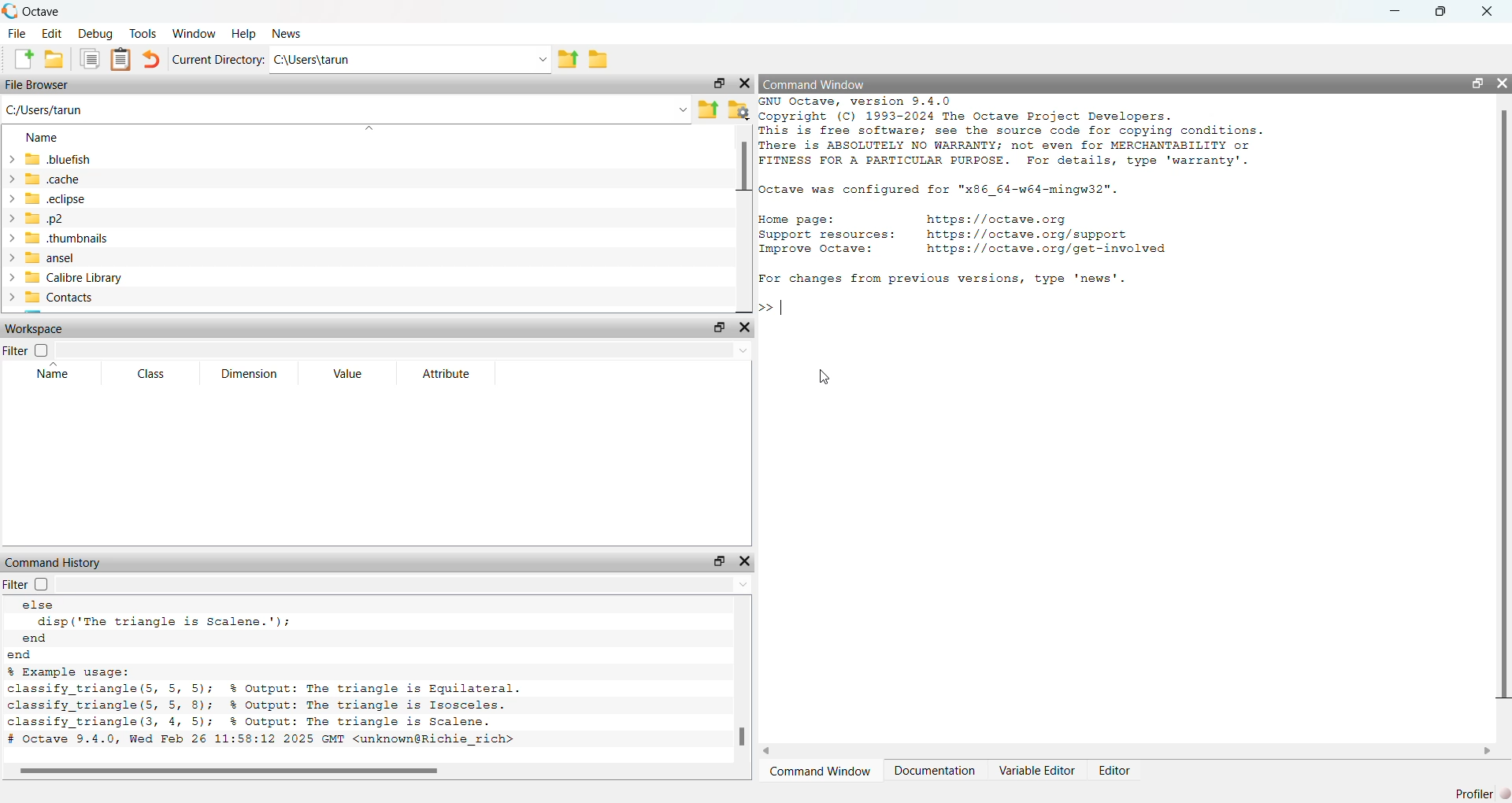 The height and width of the screenshot is (803, 1512). What do you see at coordinates (33, 585) in the screenshot?
I see `filter` at bounding box center [33, 585].